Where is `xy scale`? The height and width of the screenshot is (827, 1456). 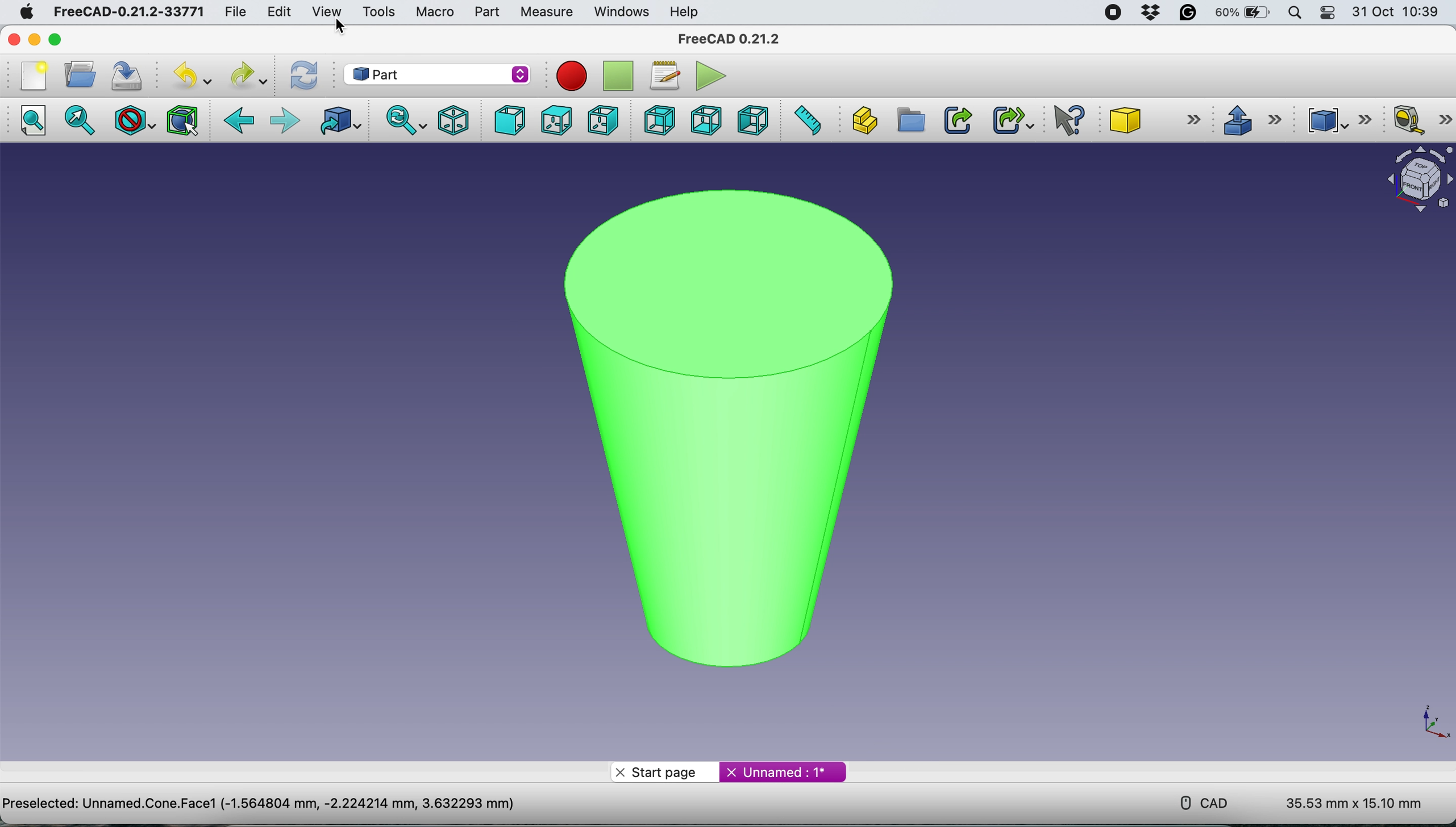
xy scale is located at coordinates (1427, 722).